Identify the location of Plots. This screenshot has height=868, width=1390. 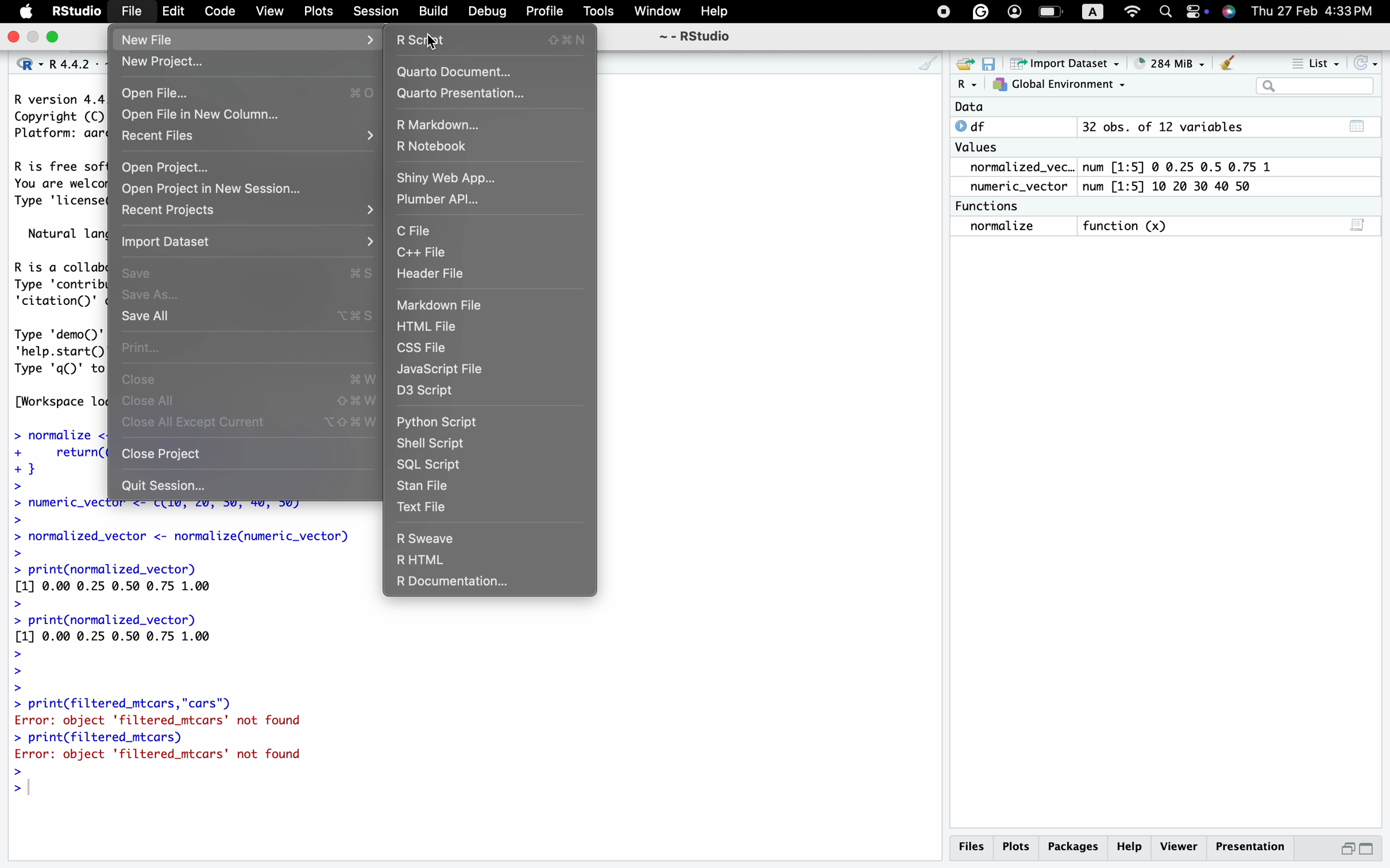
(319, 10).